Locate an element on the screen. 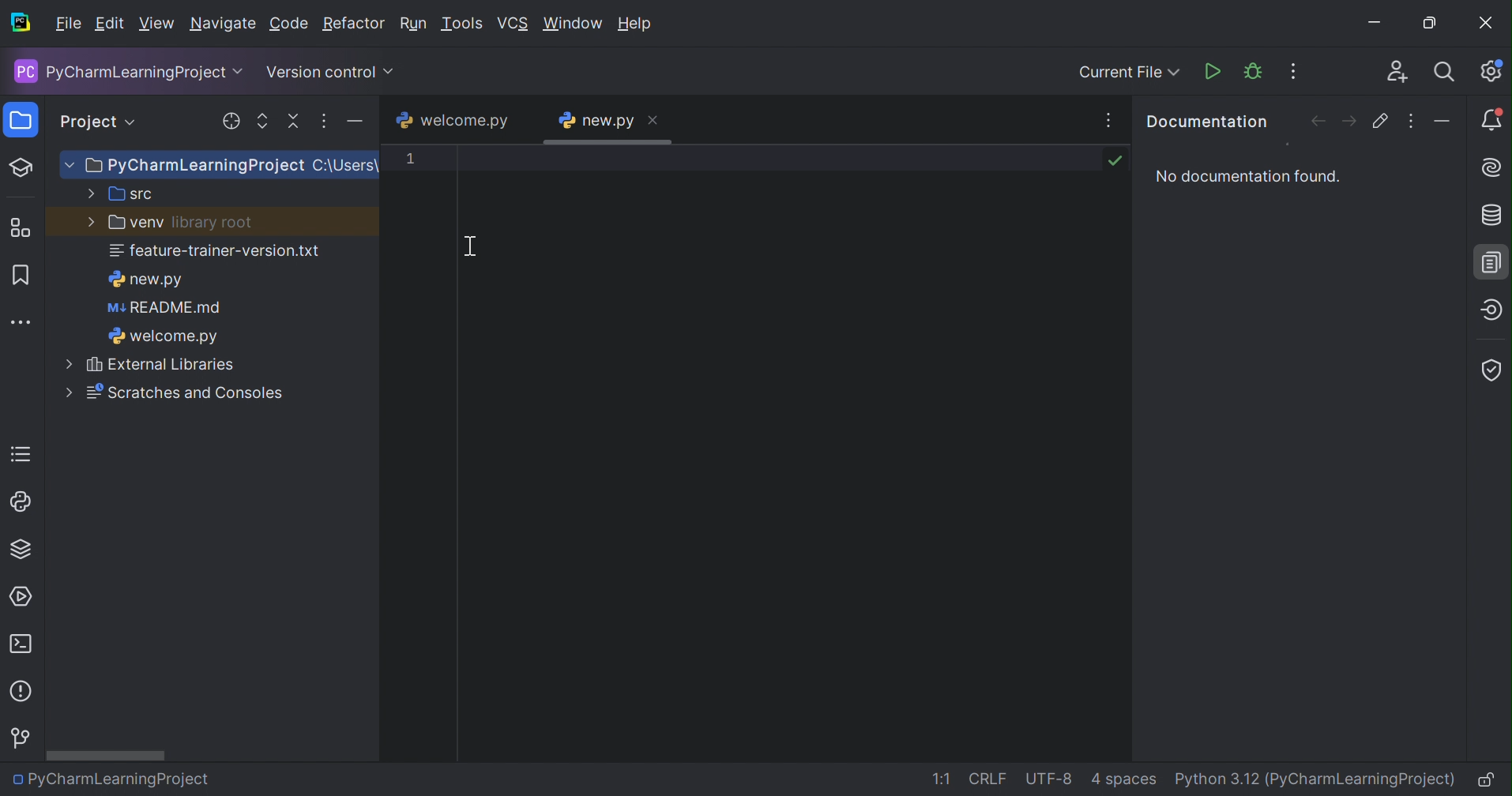  Code is located at coordinates (289, 24).